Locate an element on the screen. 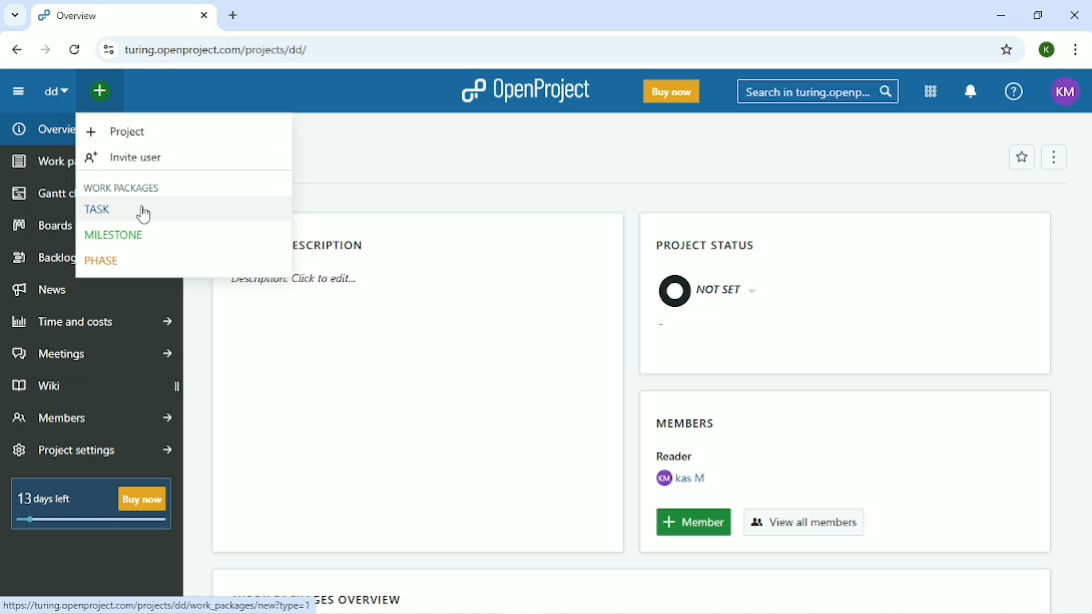 This screenshot has width=1092, height=614. dd is located at coordinates (57, 92).